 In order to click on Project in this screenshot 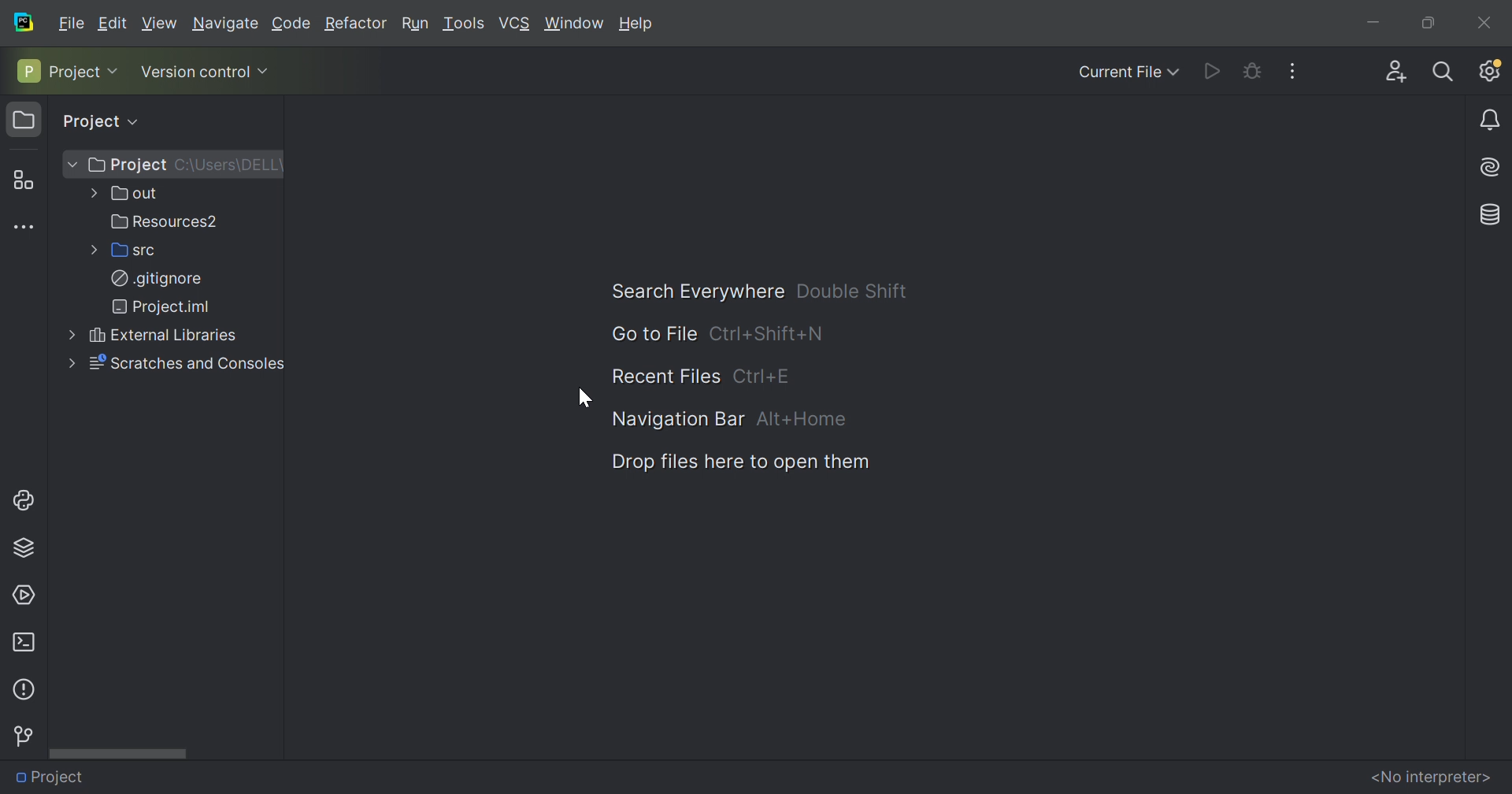, I will do `click(53, 775)`.